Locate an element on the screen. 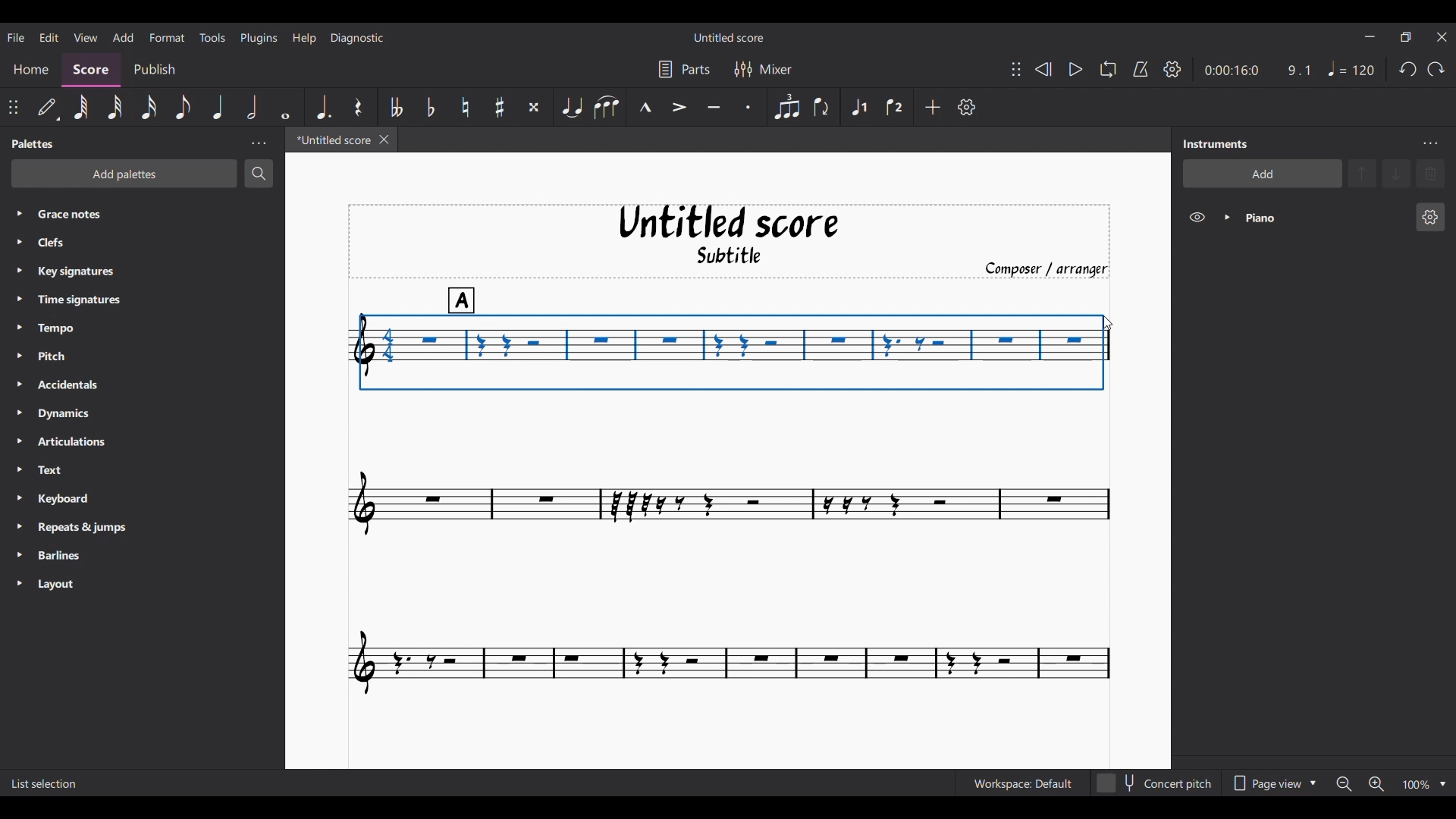  8th note is located at coordinates (184, 107).